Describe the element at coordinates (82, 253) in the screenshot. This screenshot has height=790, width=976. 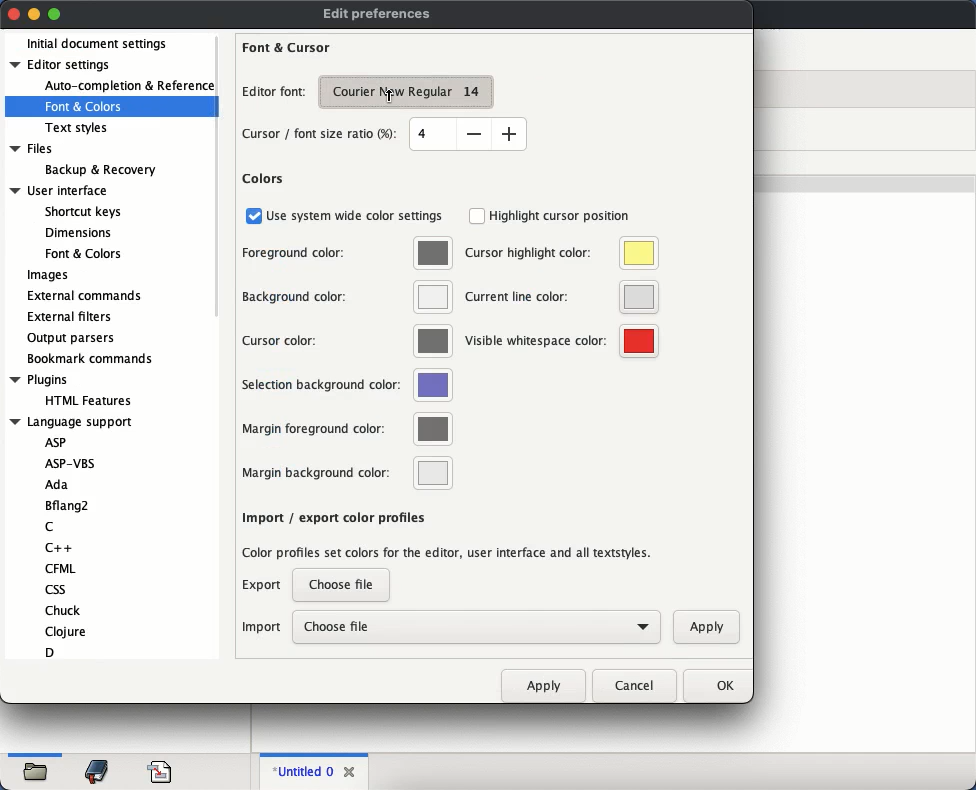
I see `font & colors` at that location.